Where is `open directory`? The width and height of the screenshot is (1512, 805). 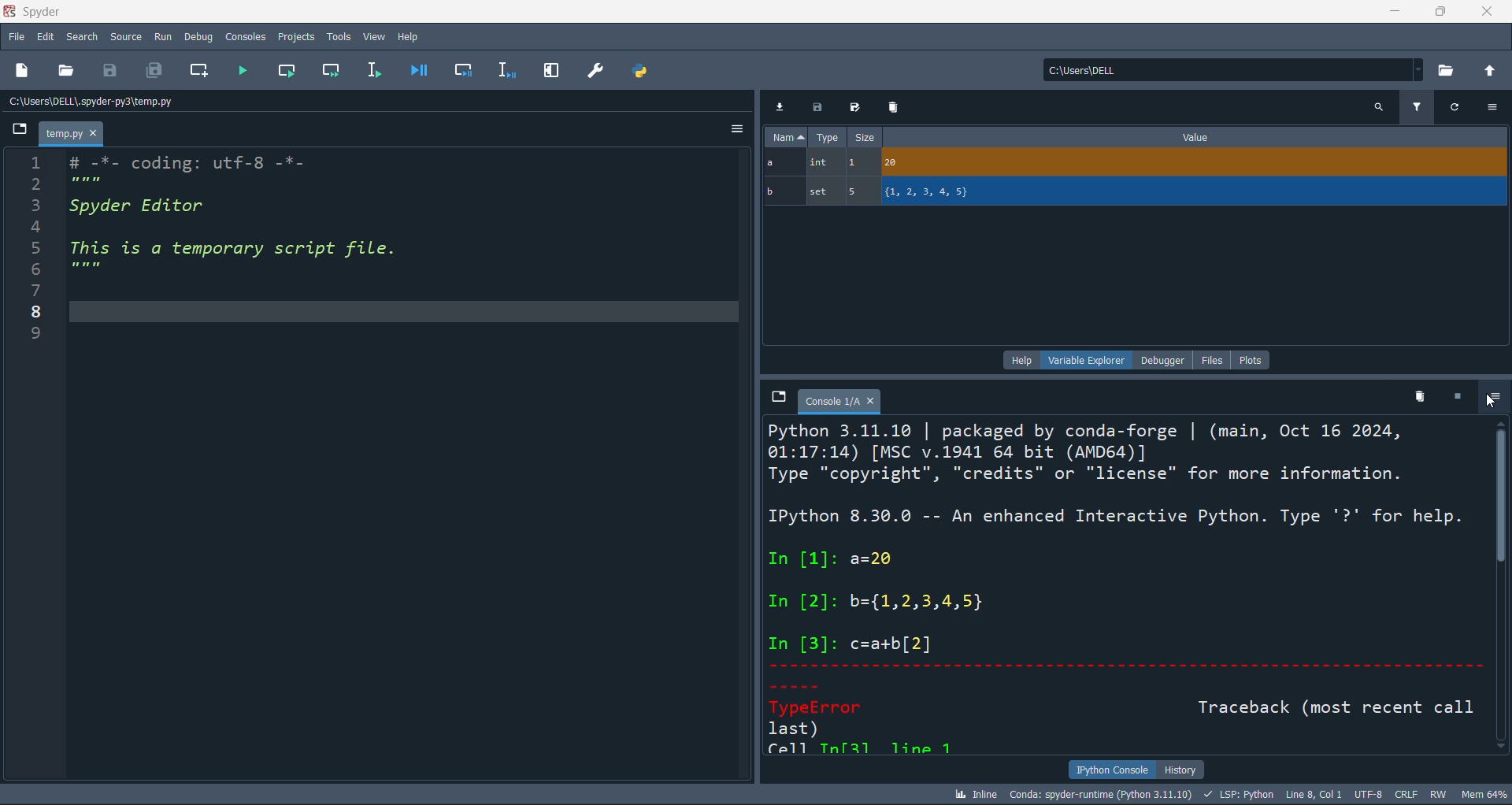 open directory is located at coordinates (1448, 69).